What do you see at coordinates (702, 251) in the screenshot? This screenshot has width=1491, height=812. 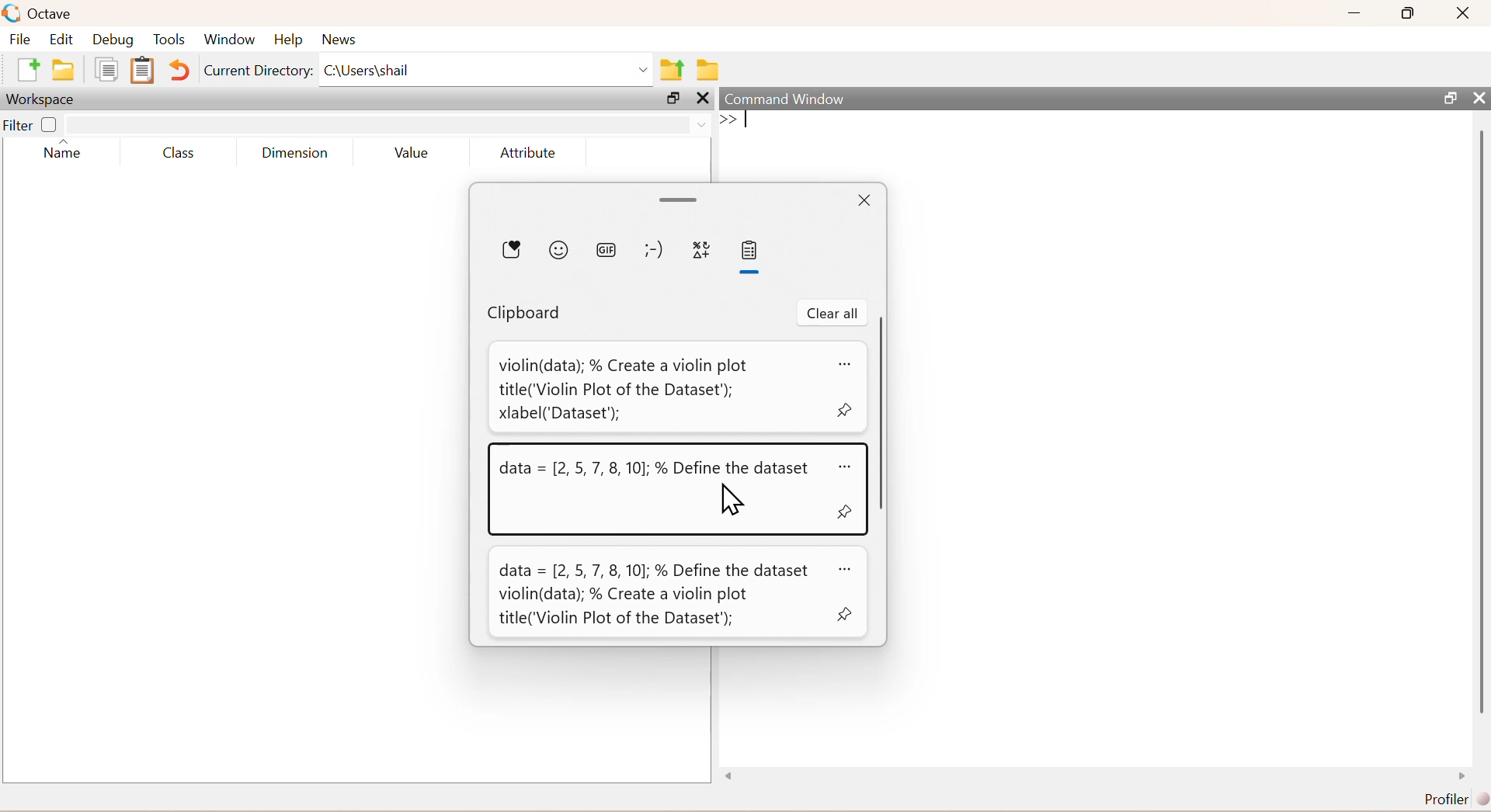 I see `ymbols` at bounding box center [702, 251].